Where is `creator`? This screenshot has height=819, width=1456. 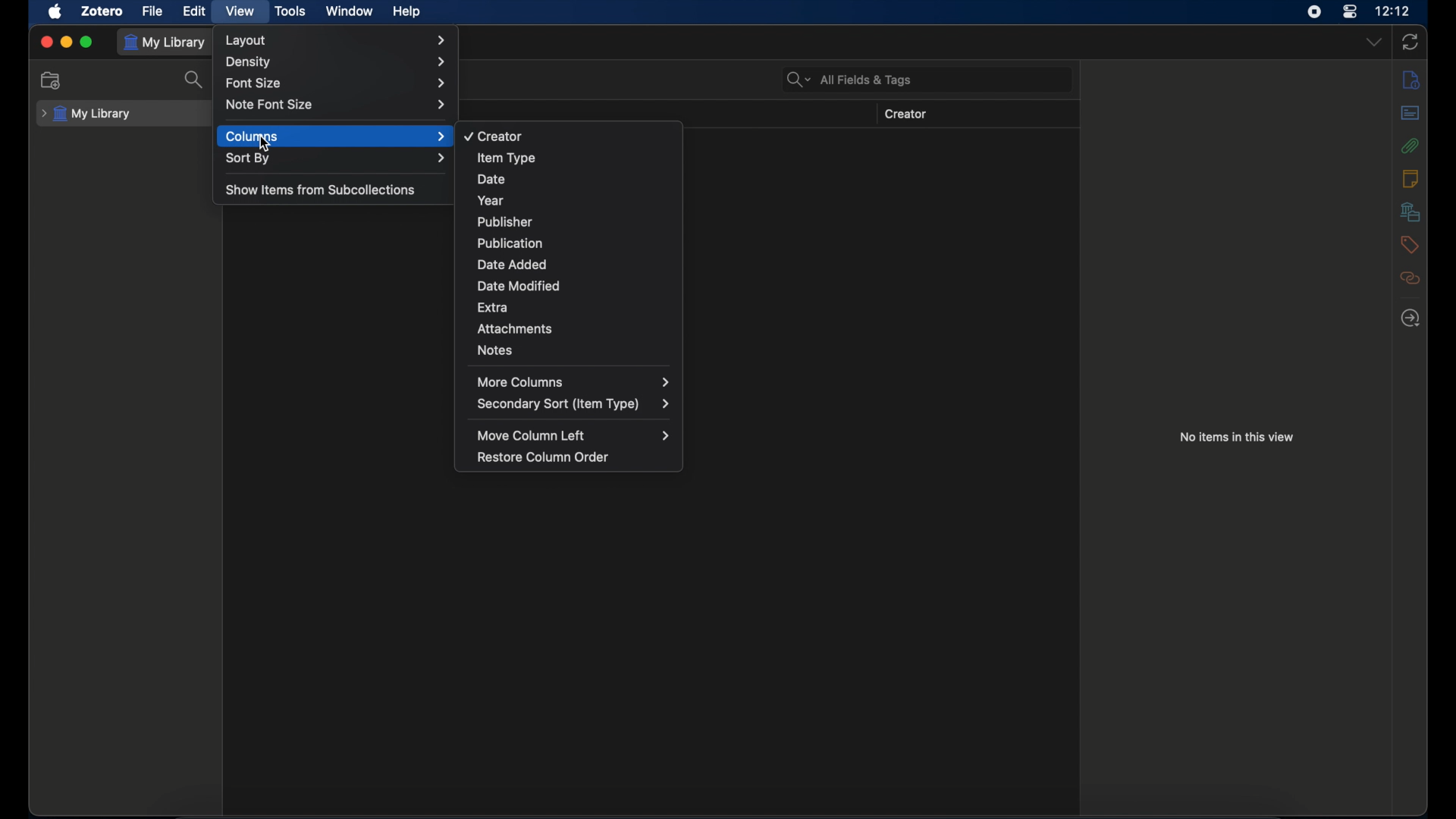 creator is located at coordinates (906, 115).